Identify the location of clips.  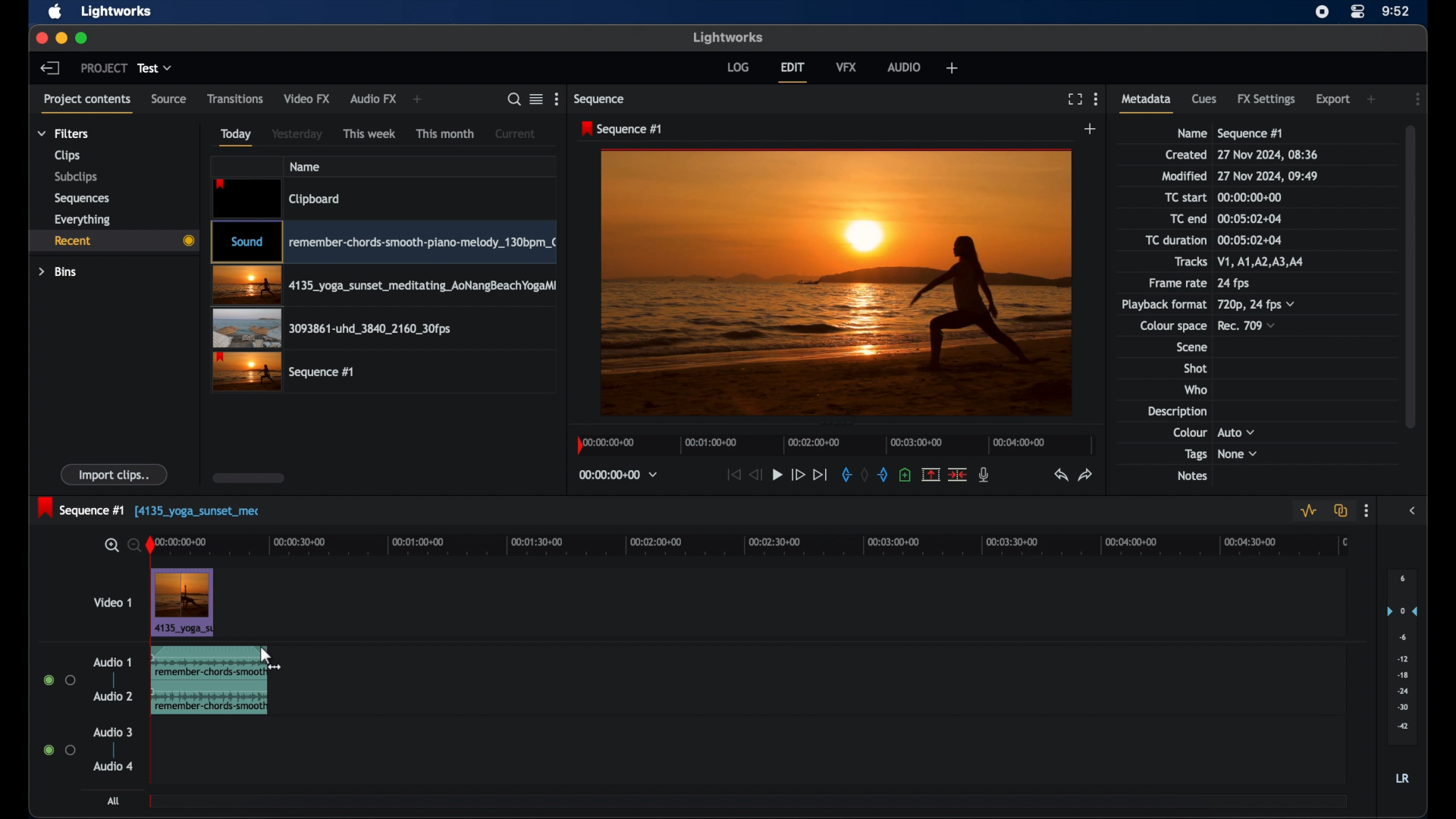
(68, 155).